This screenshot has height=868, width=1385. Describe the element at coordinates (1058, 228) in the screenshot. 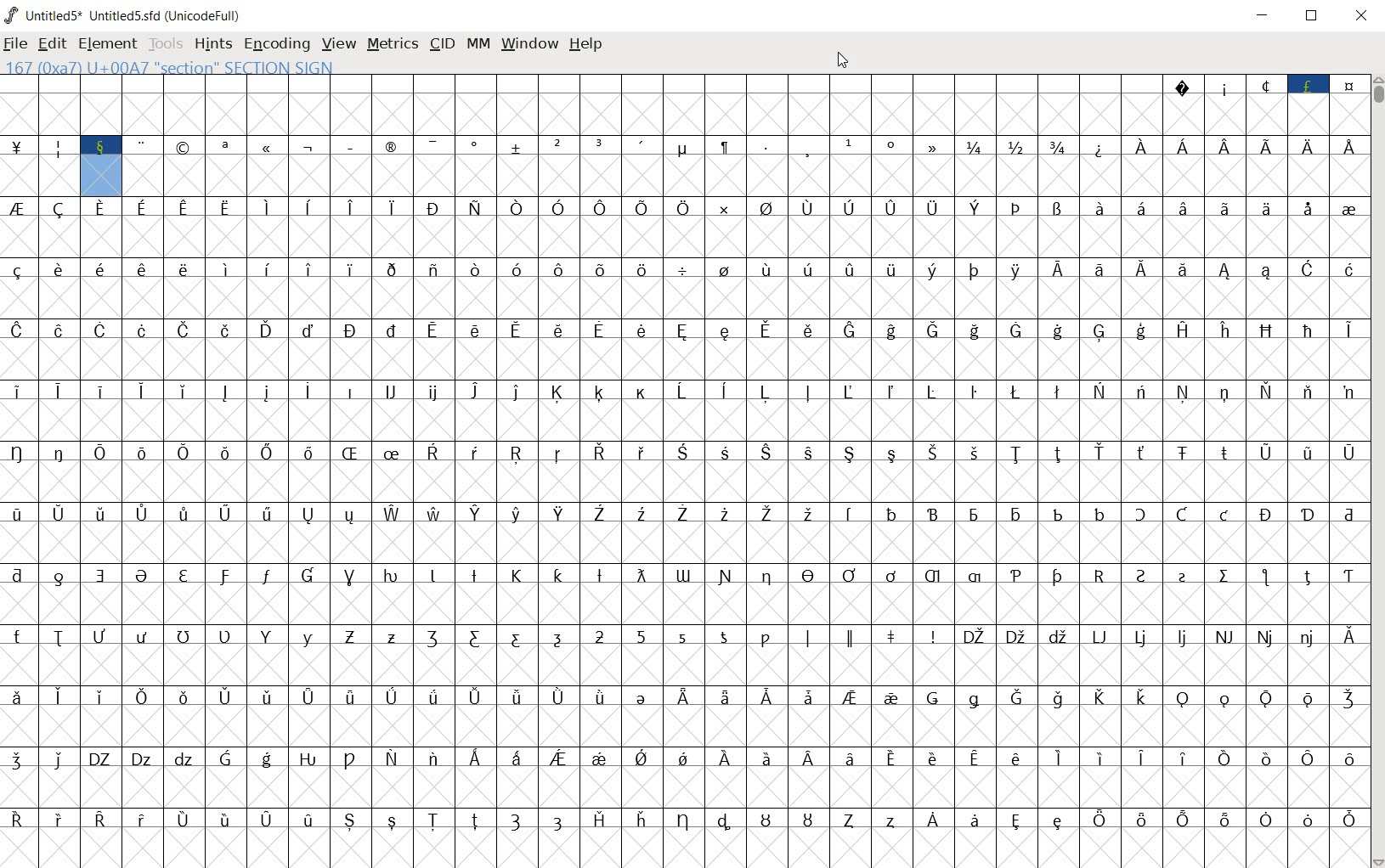

I see `accented characters` at that location.